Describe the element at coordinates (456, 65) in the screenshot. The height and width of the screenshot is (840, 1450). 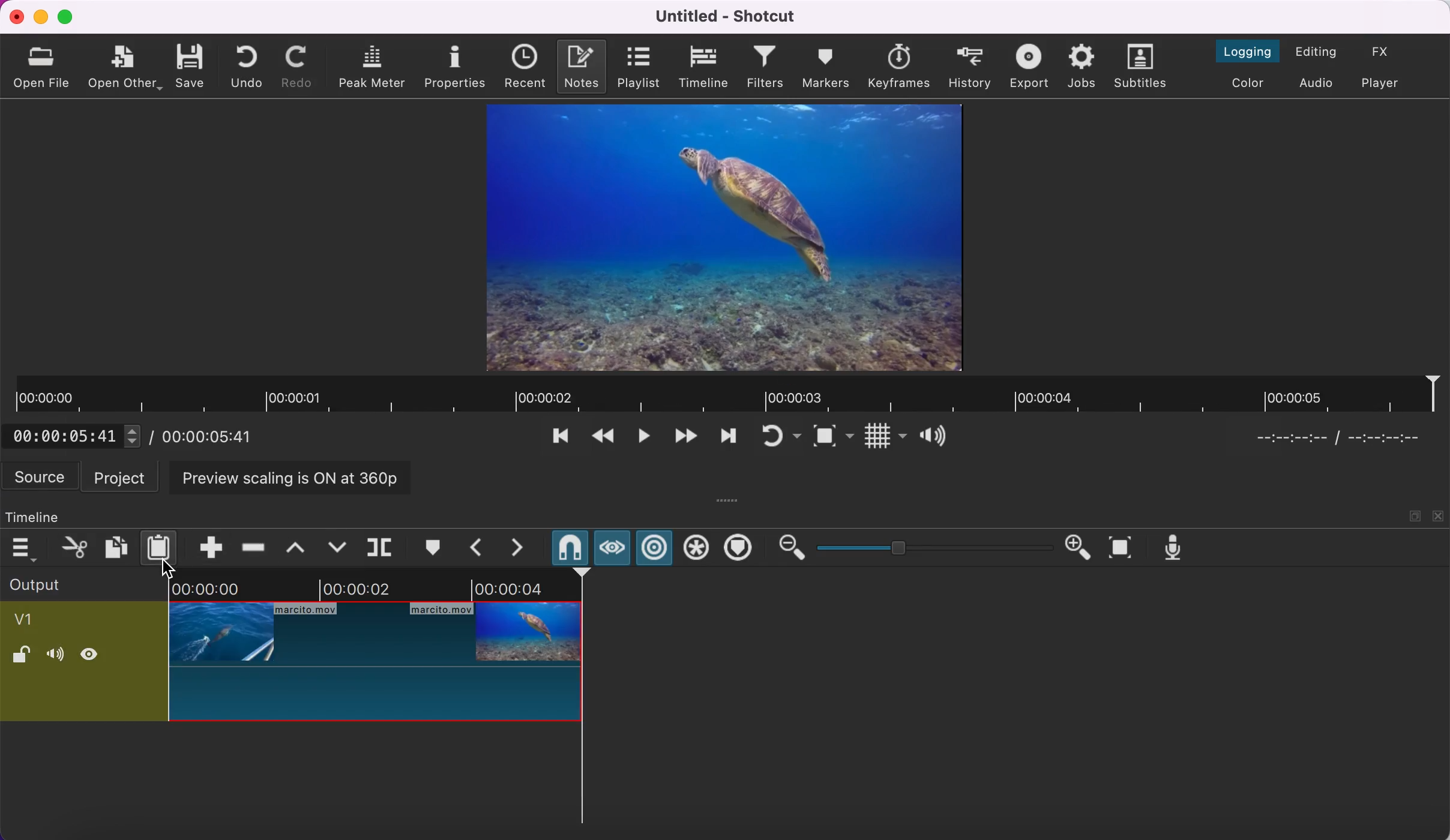
I see `properties` at that location.